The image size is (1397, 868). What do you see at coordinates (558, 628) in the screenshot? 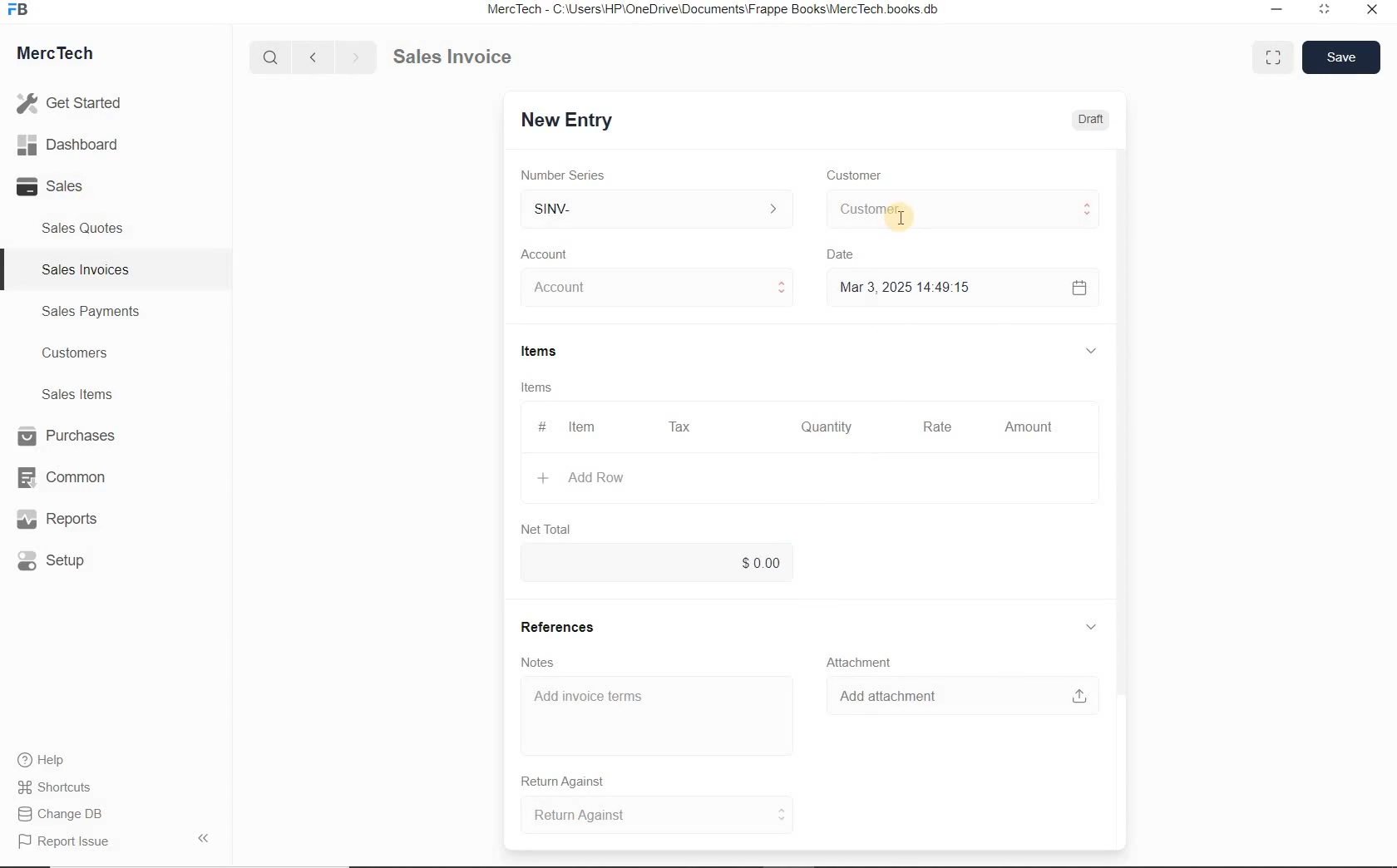
I see `References` at bounding box center [558, 628].